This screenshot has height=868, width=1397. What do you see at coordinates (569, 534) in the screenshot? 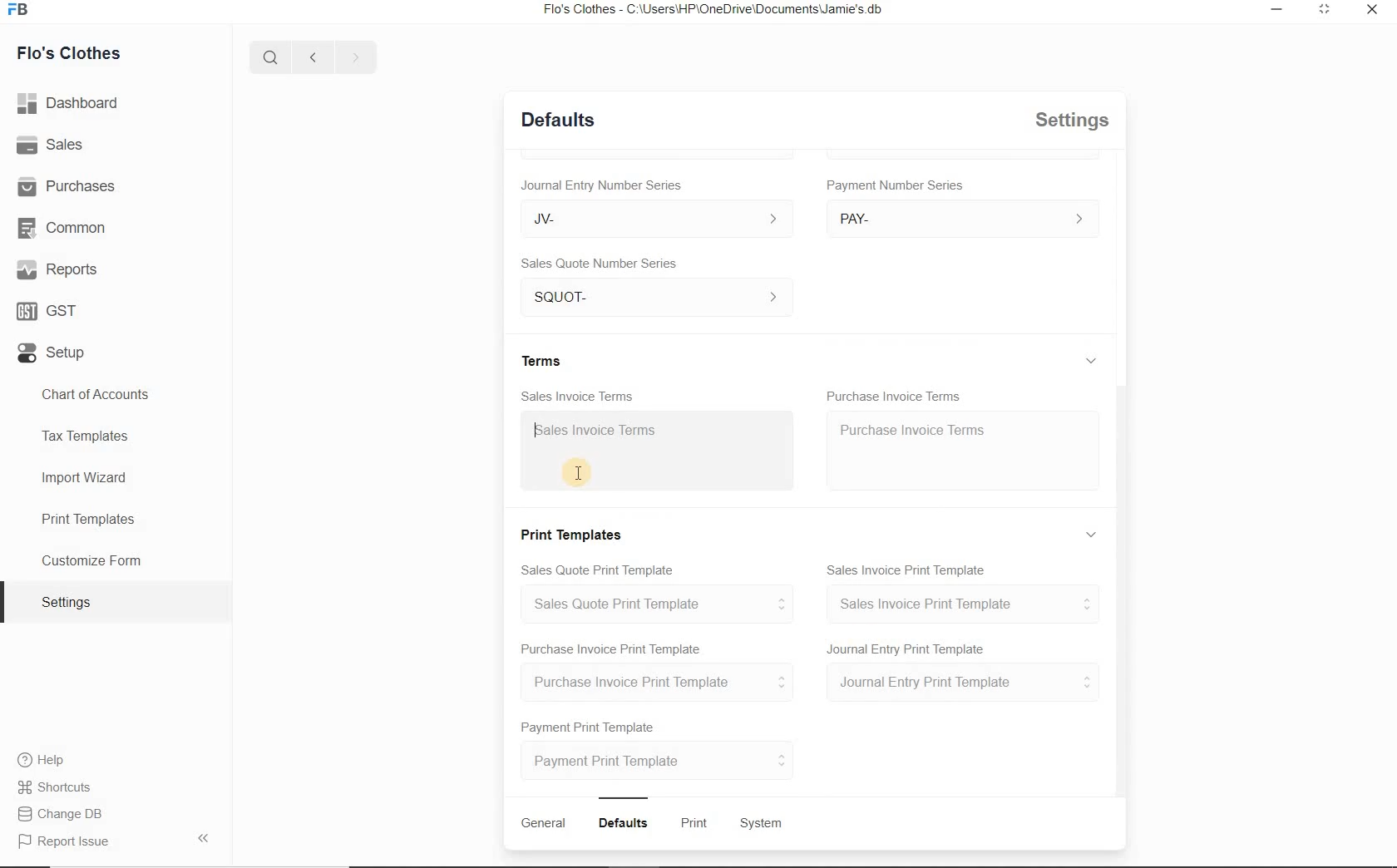
I see `Print Templates` at bounding box center [569, 534].